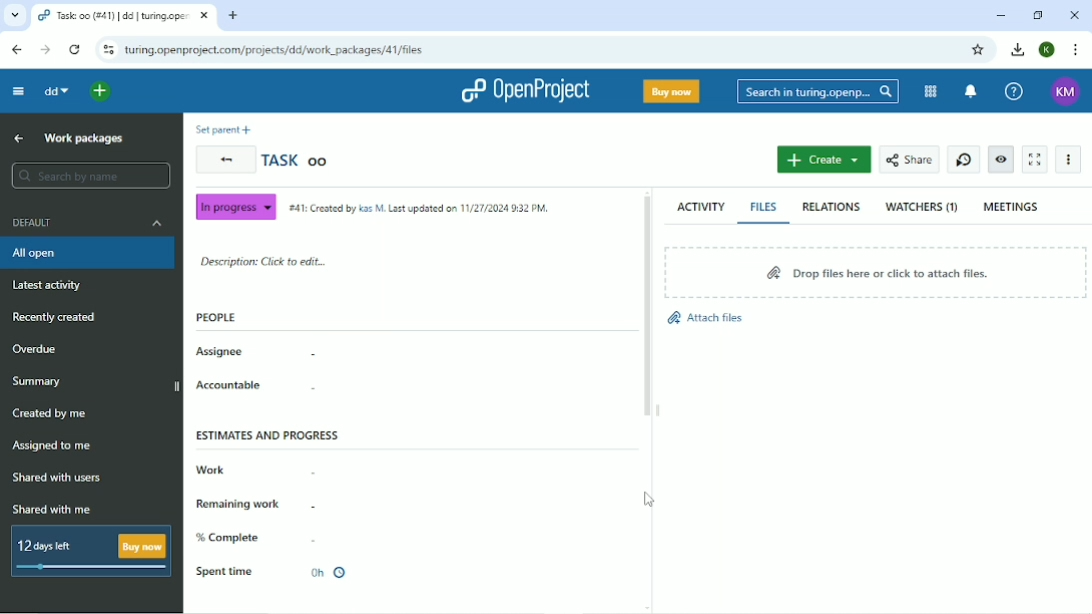 Image resolution: width=1092 pixels, height=614 pixels. I want to click on Collapse project menu, so click(19, 91).